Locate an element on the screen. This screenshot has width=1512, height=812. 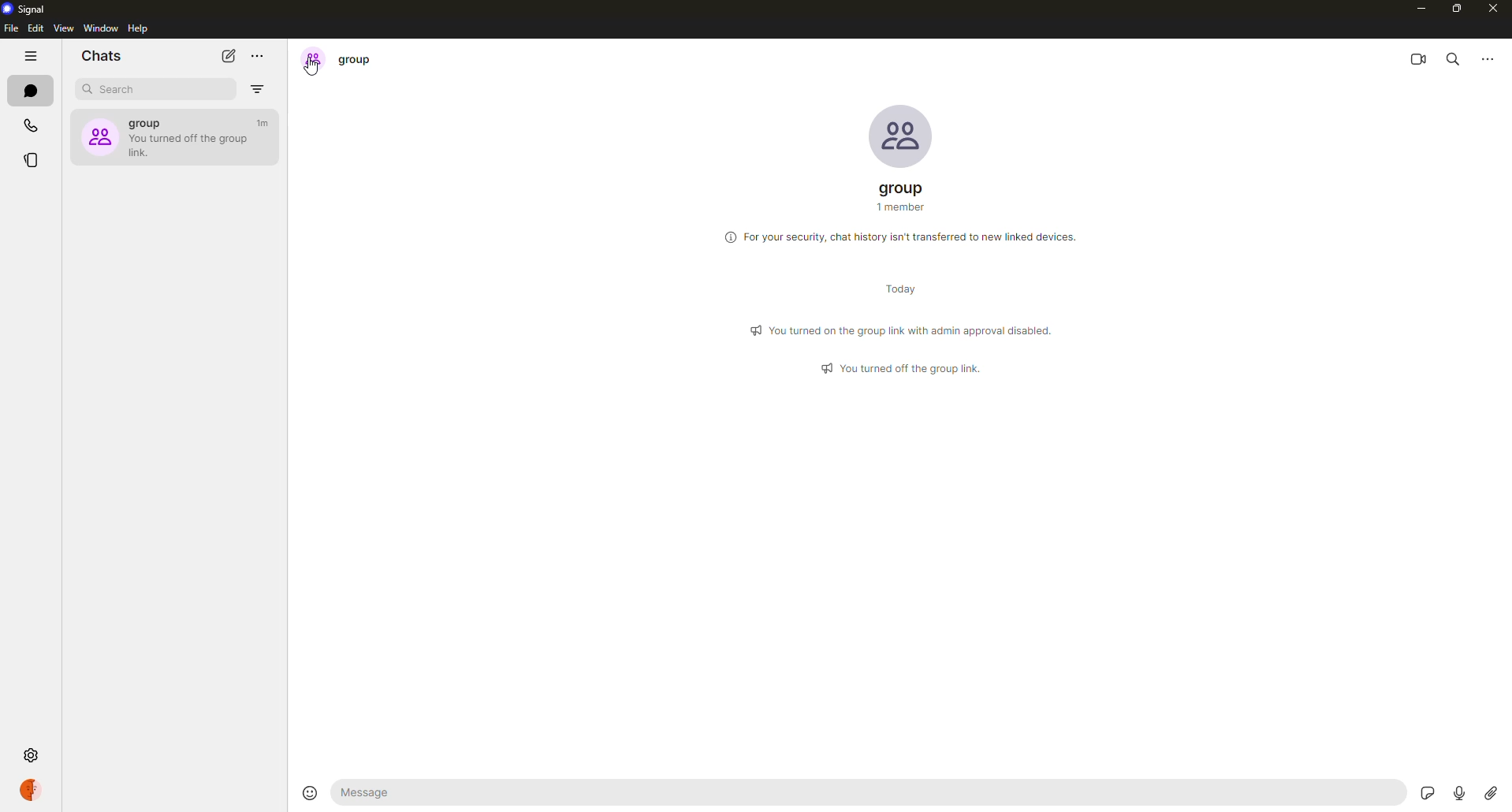
calls is located at coordinates (29, 126).